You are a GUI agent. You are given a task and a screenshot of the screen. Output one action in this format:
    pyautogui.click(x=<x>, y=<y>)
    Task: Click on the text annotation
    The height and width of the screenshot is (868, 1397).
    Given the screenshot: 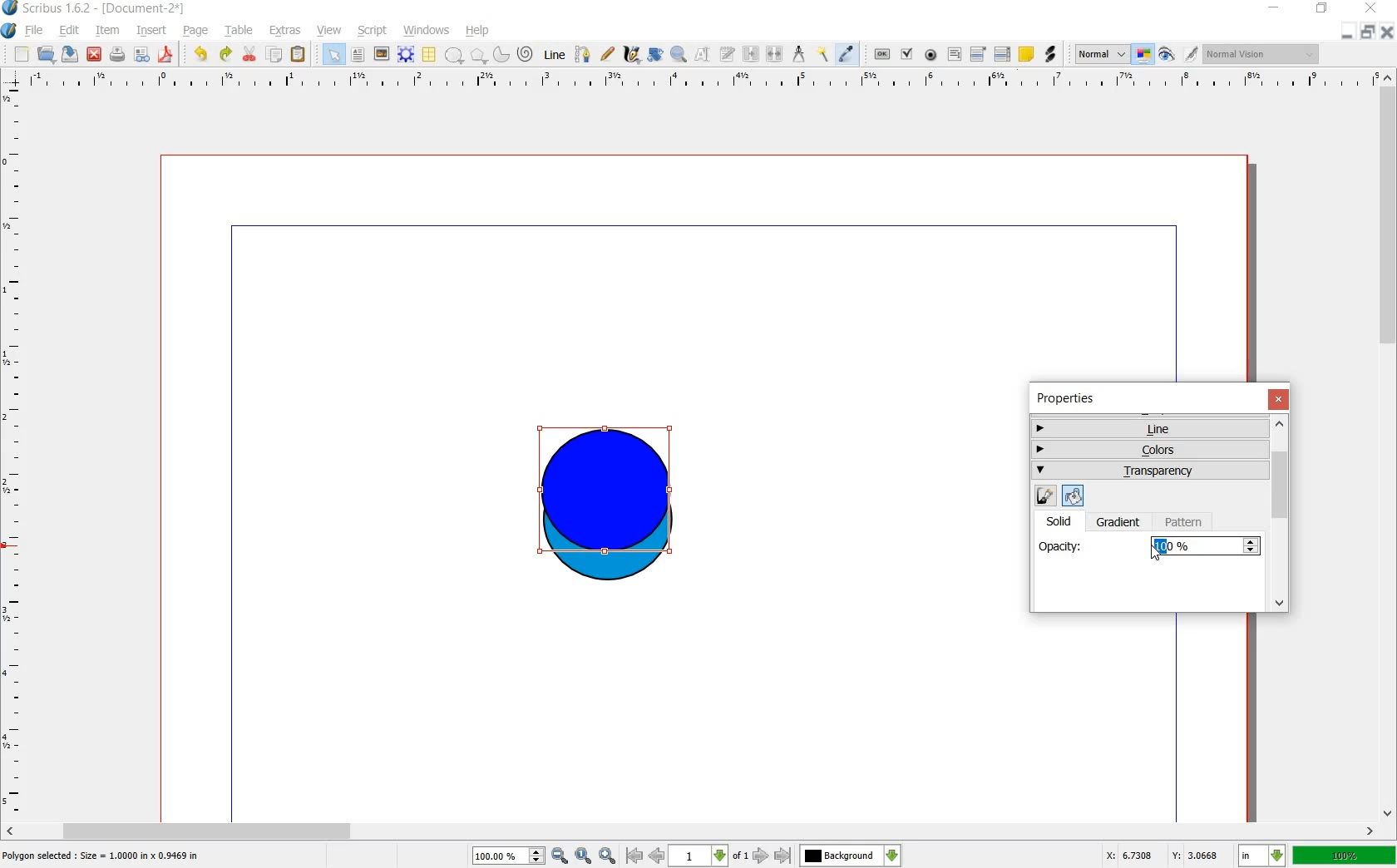 What is the action you would take?
    pyautogui.click(x=1028, y=55)
    